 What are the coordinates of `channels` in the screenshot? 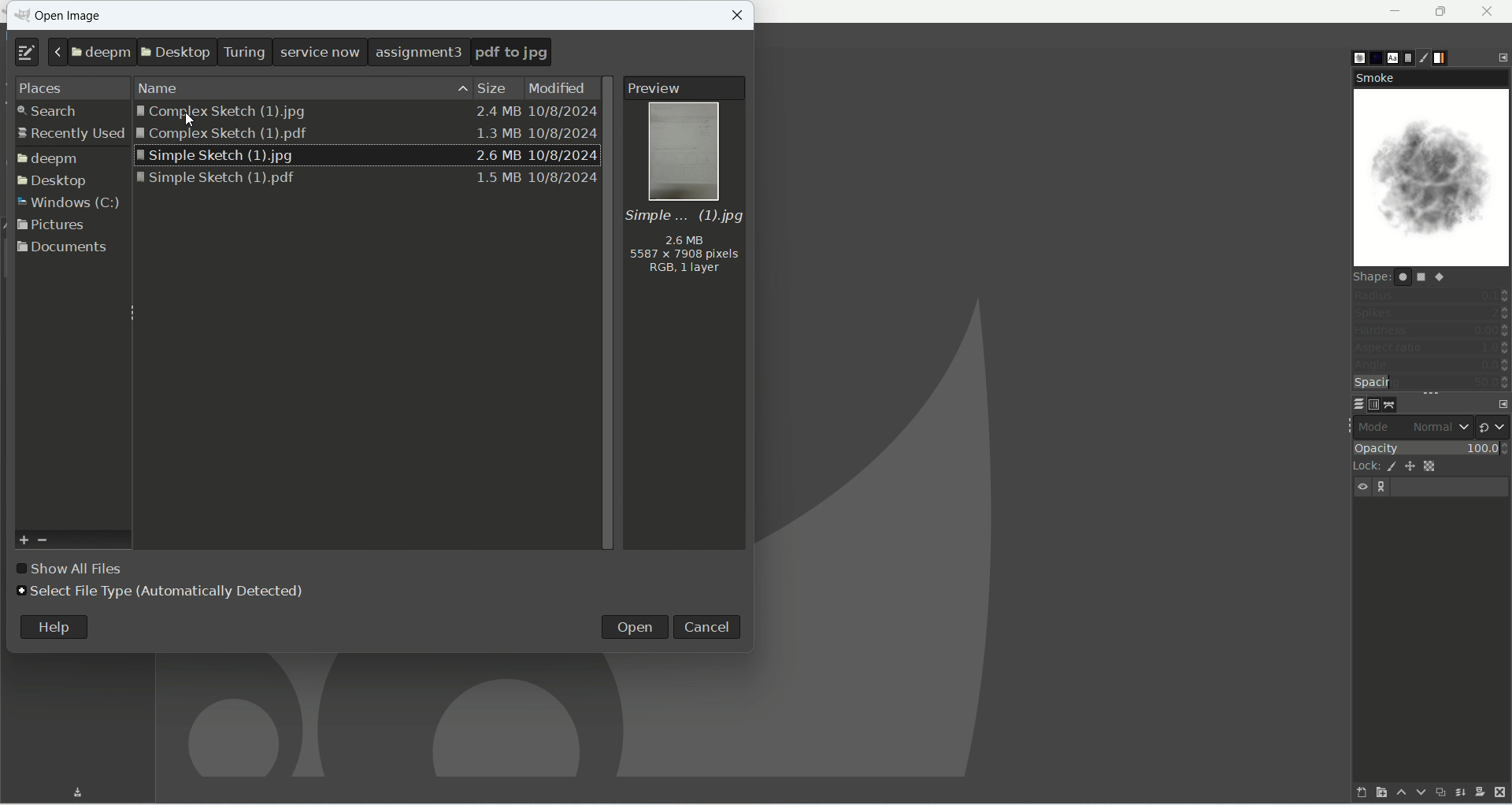 It's located at (1377, 404).